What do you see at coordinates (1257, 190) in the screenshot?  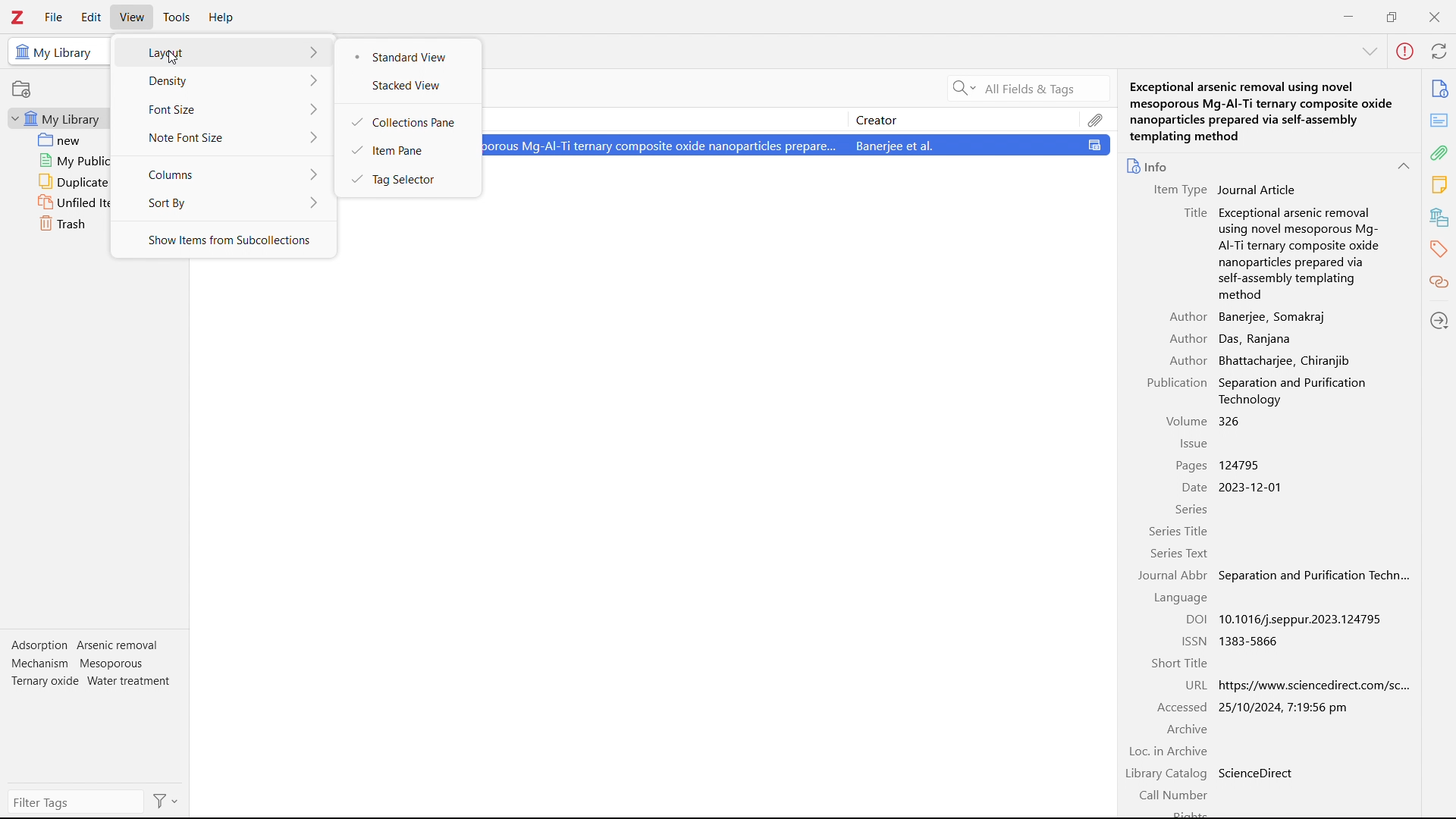 I see `Journal Article` at bounding box center [1257, 190].